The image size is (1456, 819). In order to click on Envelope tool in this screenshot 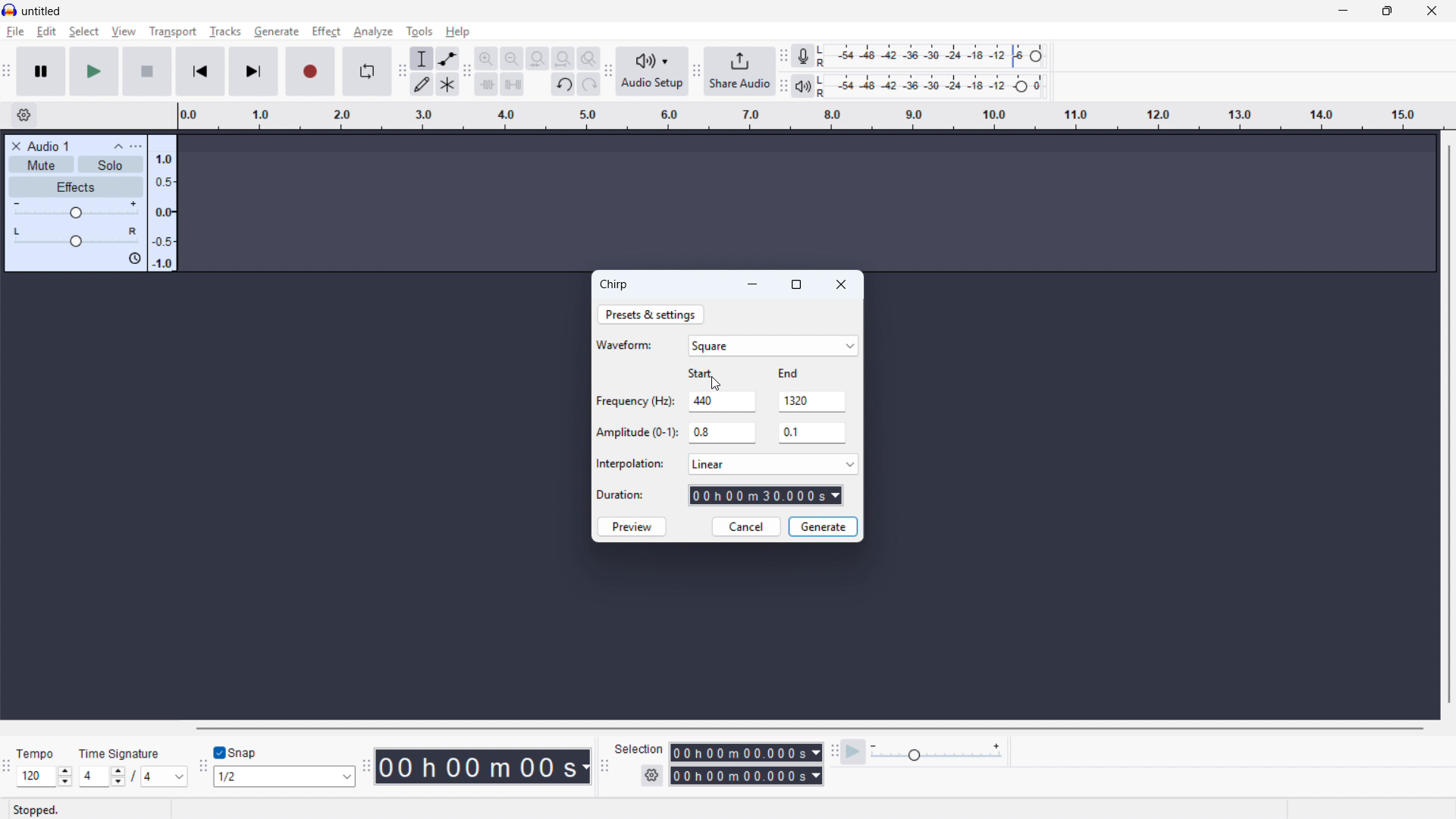, I will do `click(448, 58)`.